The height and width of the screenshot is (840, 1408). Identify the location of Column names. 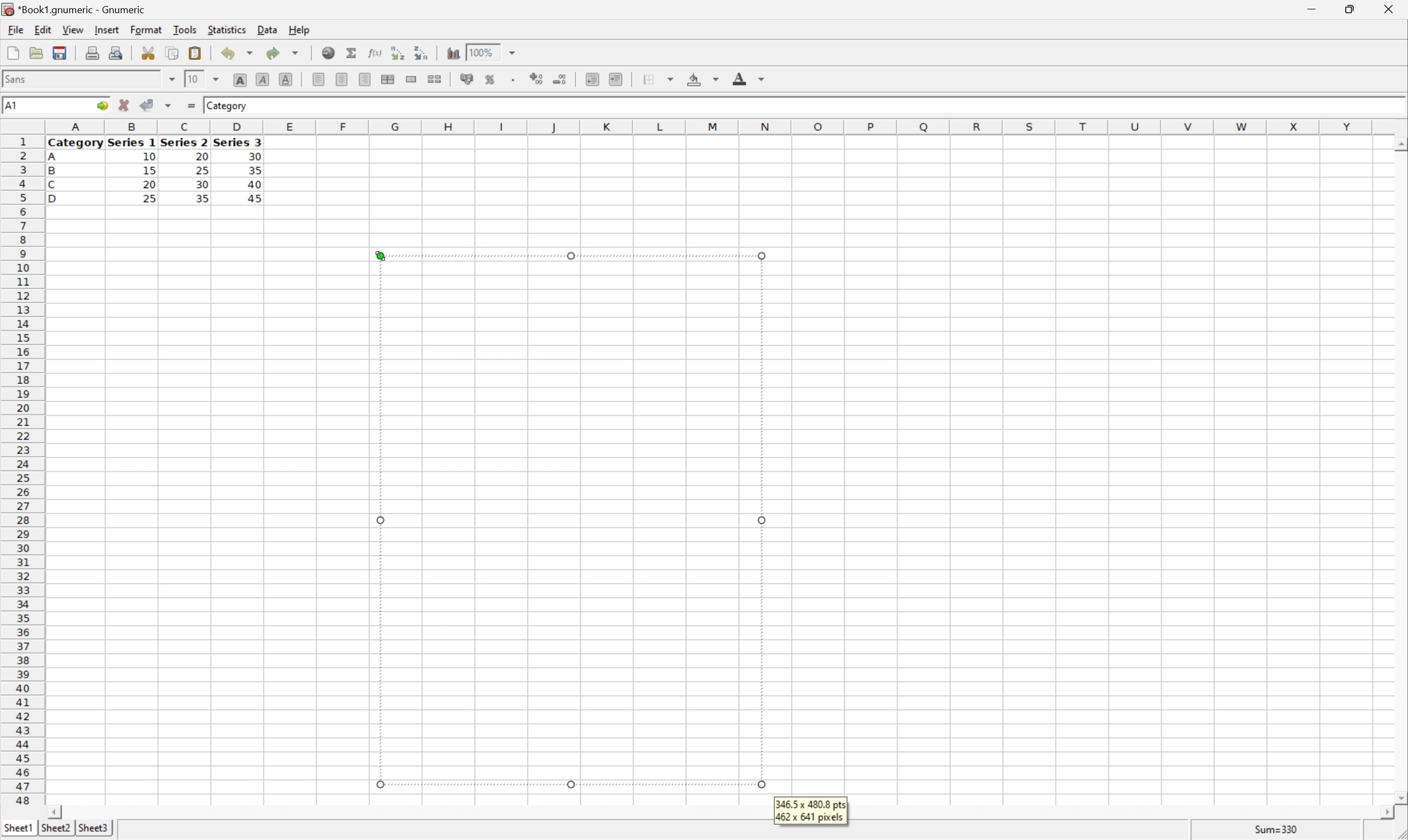
(713, 128).